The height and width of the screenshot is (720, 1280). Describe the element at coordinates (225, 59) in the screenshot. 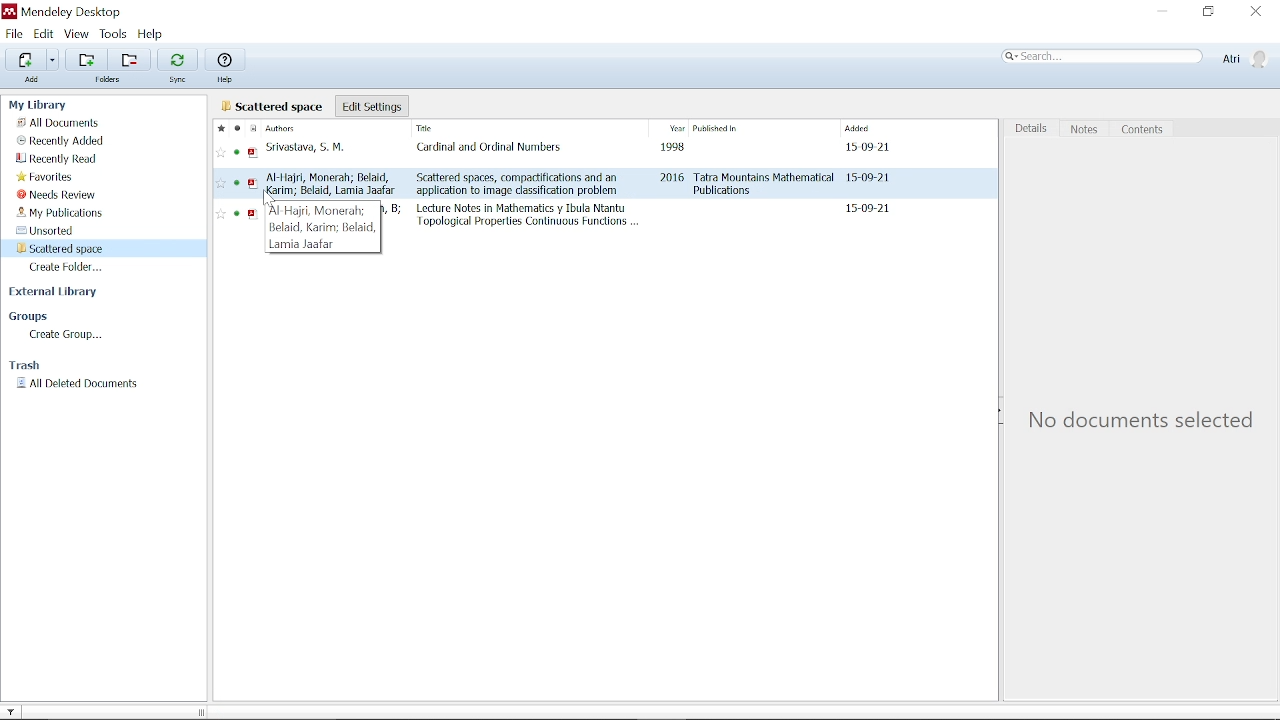

I see `Help` at that location.